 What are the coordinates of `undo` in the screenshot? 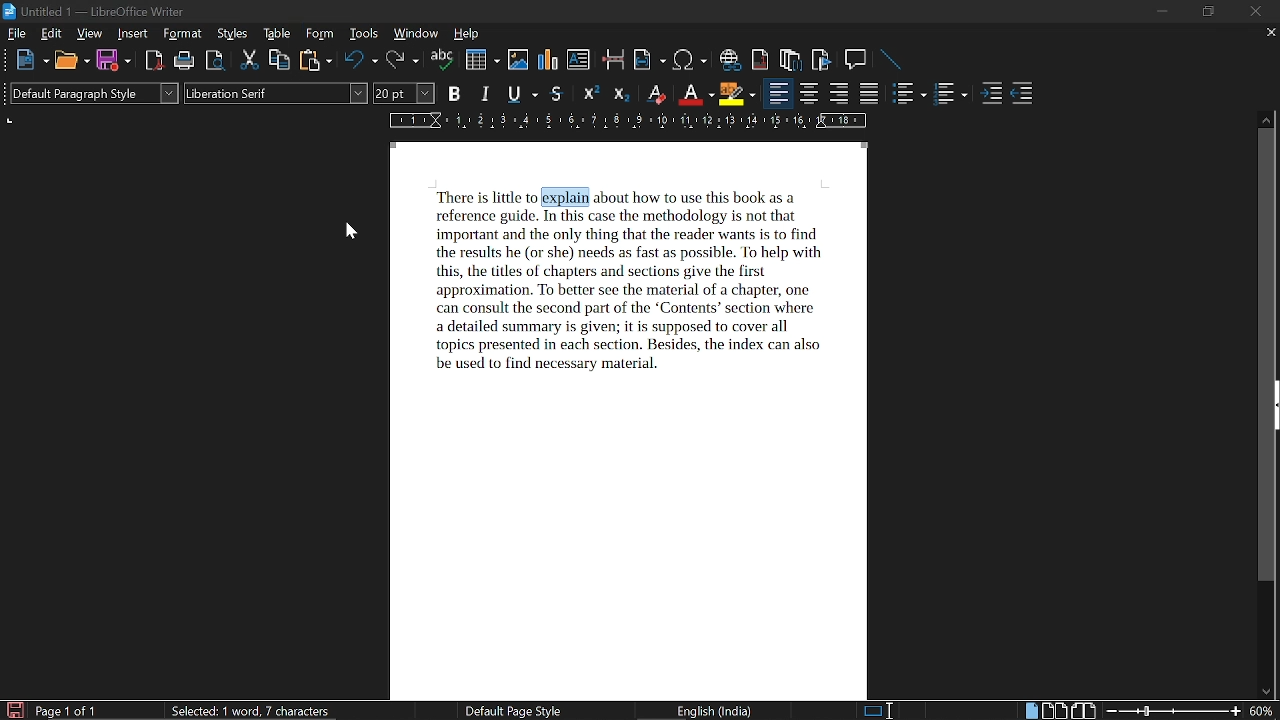 It's located at (362, 62).